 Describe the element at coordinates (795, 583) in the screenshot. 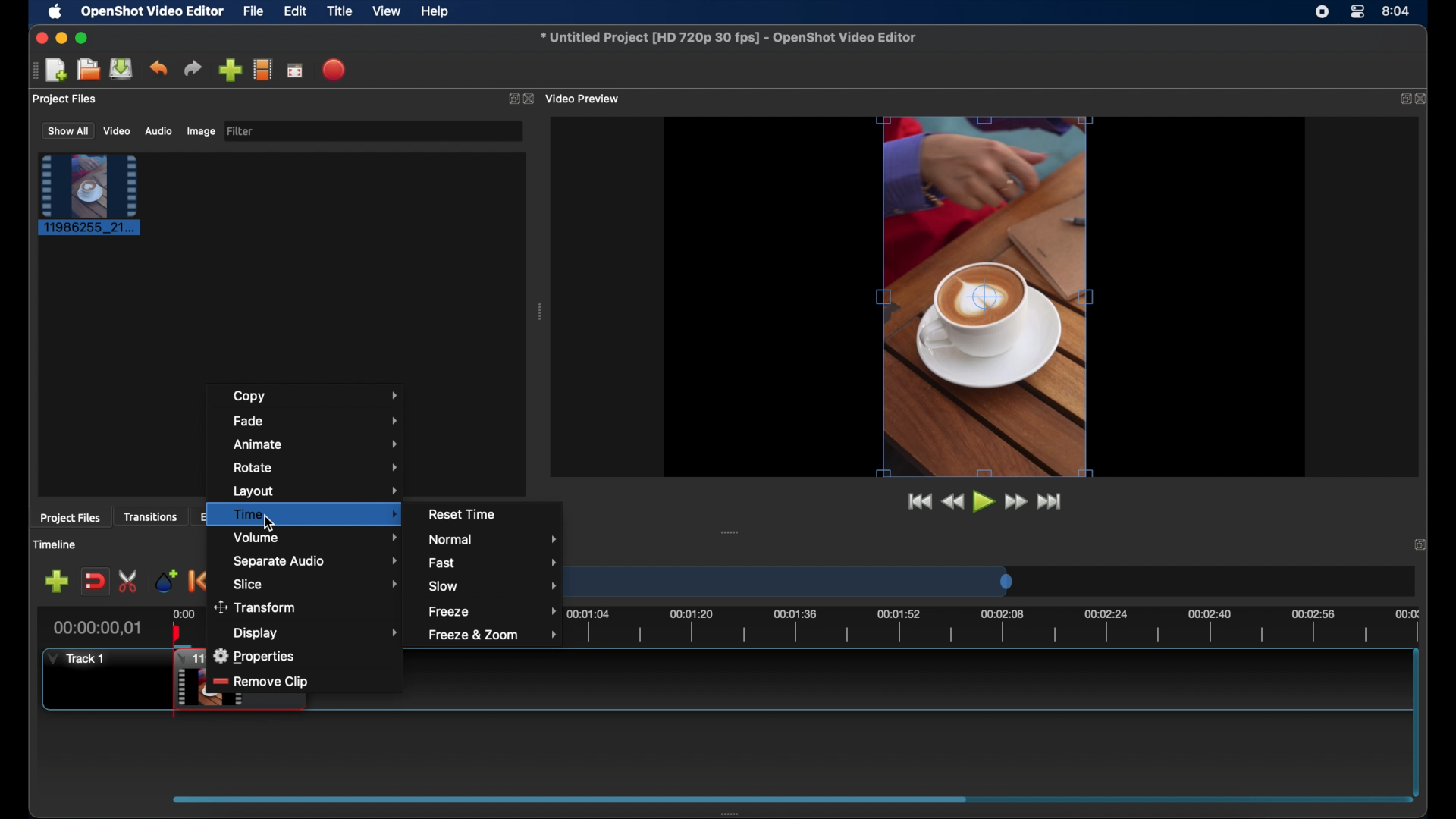

I see `timeline scale` at that location.